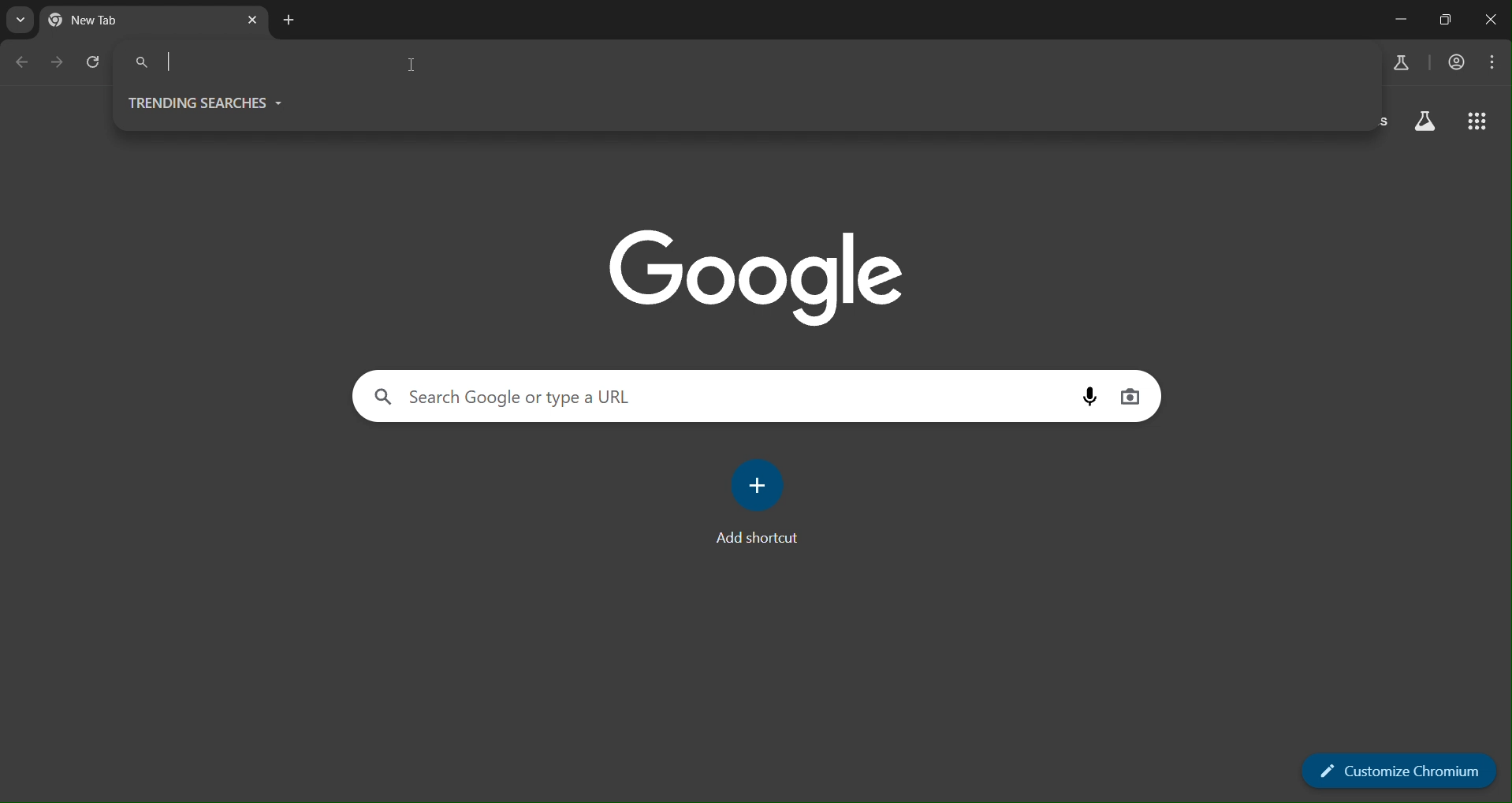  What do you see at coordinates (20, 21) in the screenshot?
I see `search tabs` at bounding box center [20, 21].